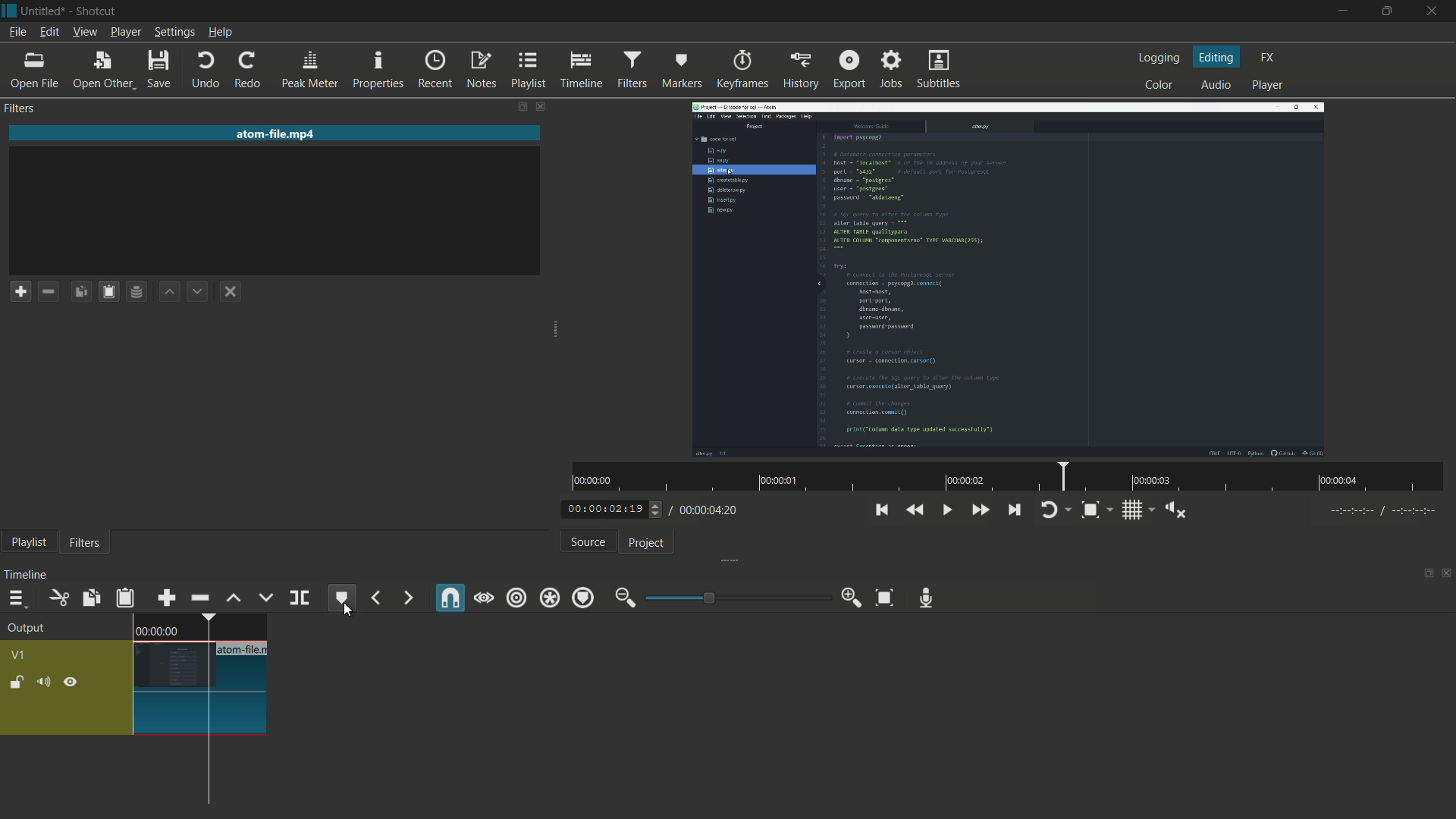  Describe the element at coordinates (540, 106) in the screenshot. I see `close filter` at that location.